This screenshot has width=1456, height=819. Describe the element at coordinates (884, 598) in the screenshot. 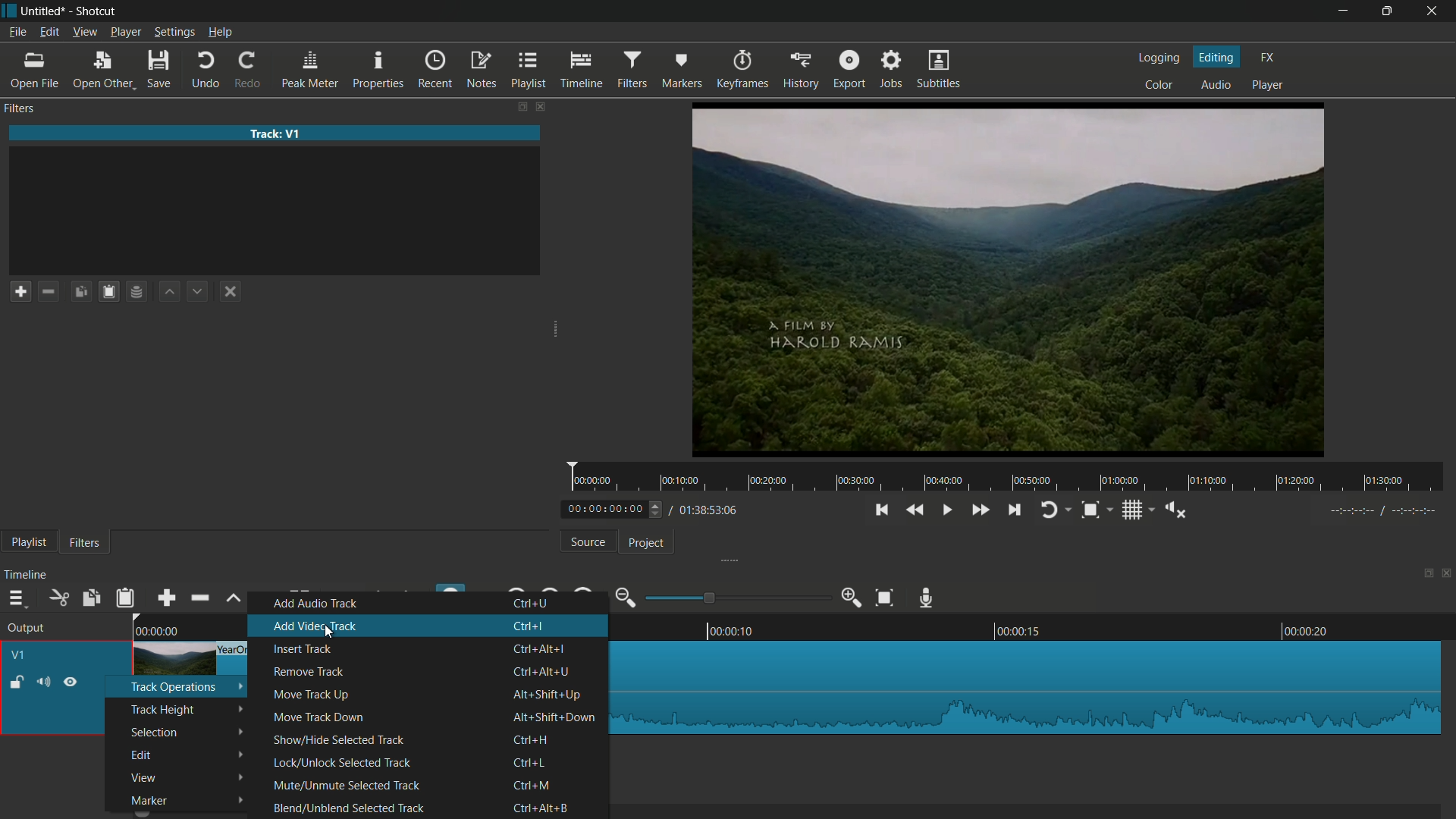

I see `zoom timeline to fit` at that location.